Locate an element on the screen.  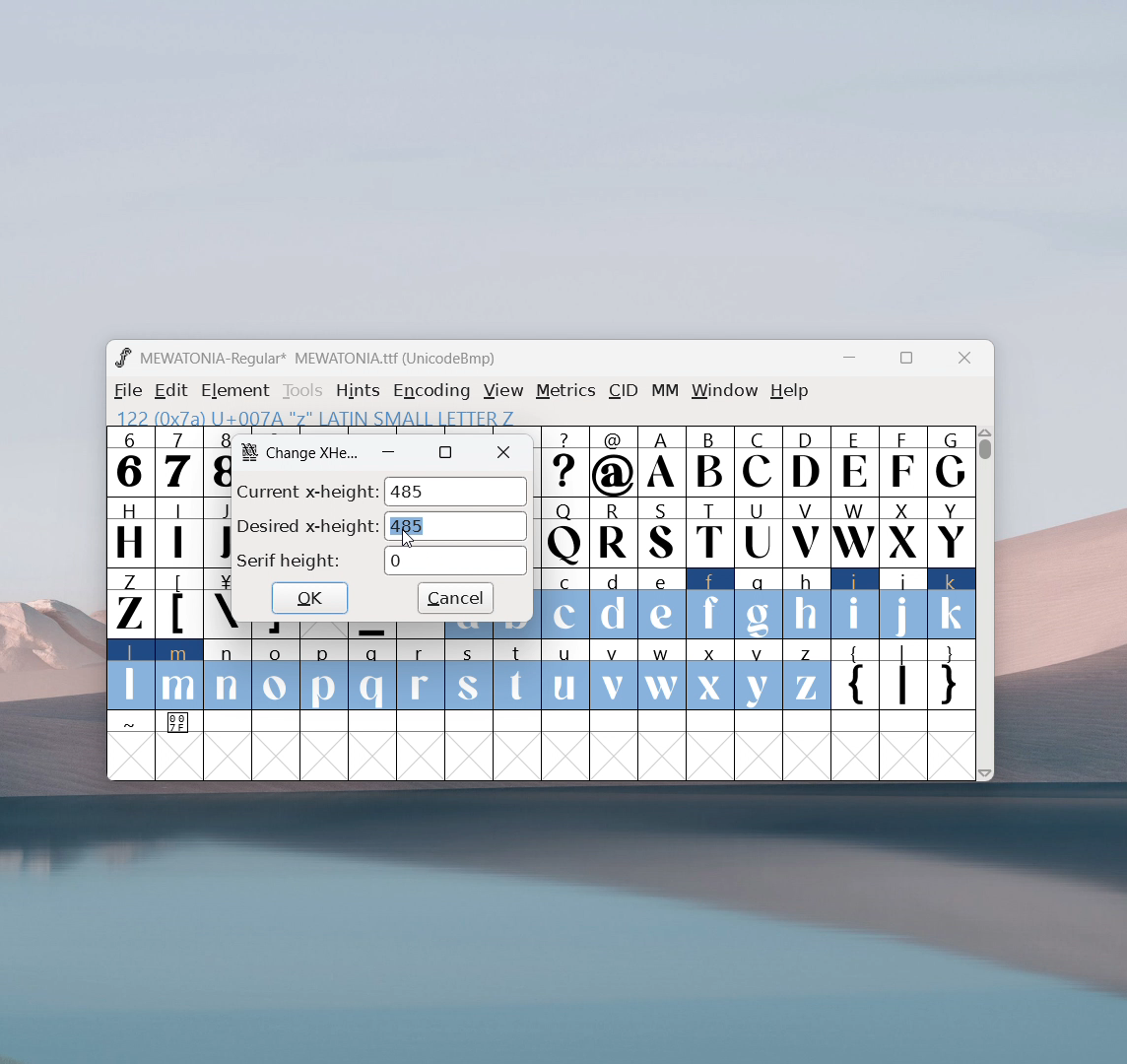
{ is located at coordinates (854, 677).